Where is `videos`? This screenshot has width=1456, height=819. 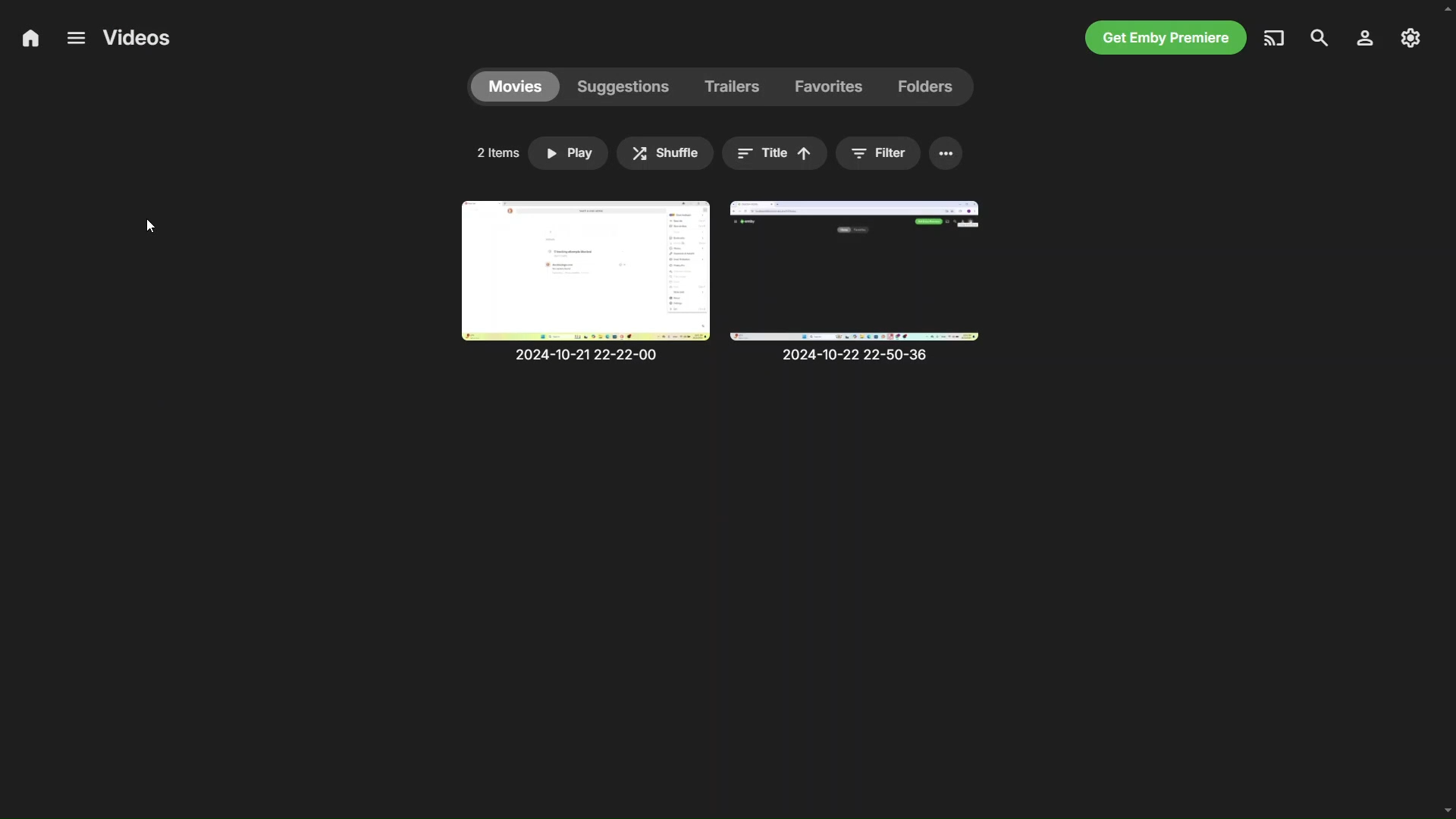
videos is located at coordinates (138, 37).